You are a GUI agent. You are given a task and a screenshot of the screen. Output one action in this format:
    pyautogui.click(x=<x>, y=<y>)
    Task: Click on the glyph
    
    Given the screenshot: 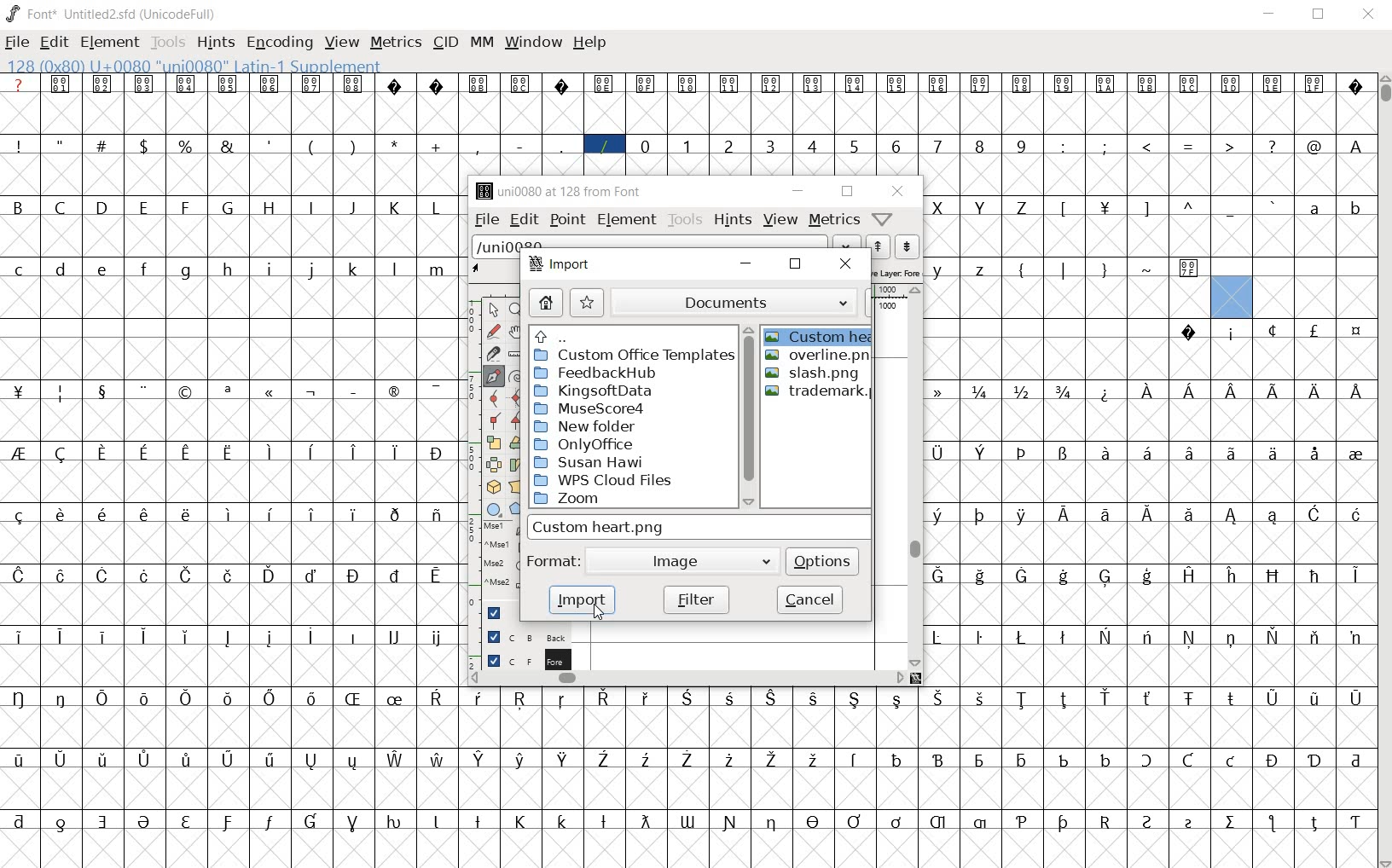 What is the action you would take?
    pyautogui.click(x=1232, y=698)
    